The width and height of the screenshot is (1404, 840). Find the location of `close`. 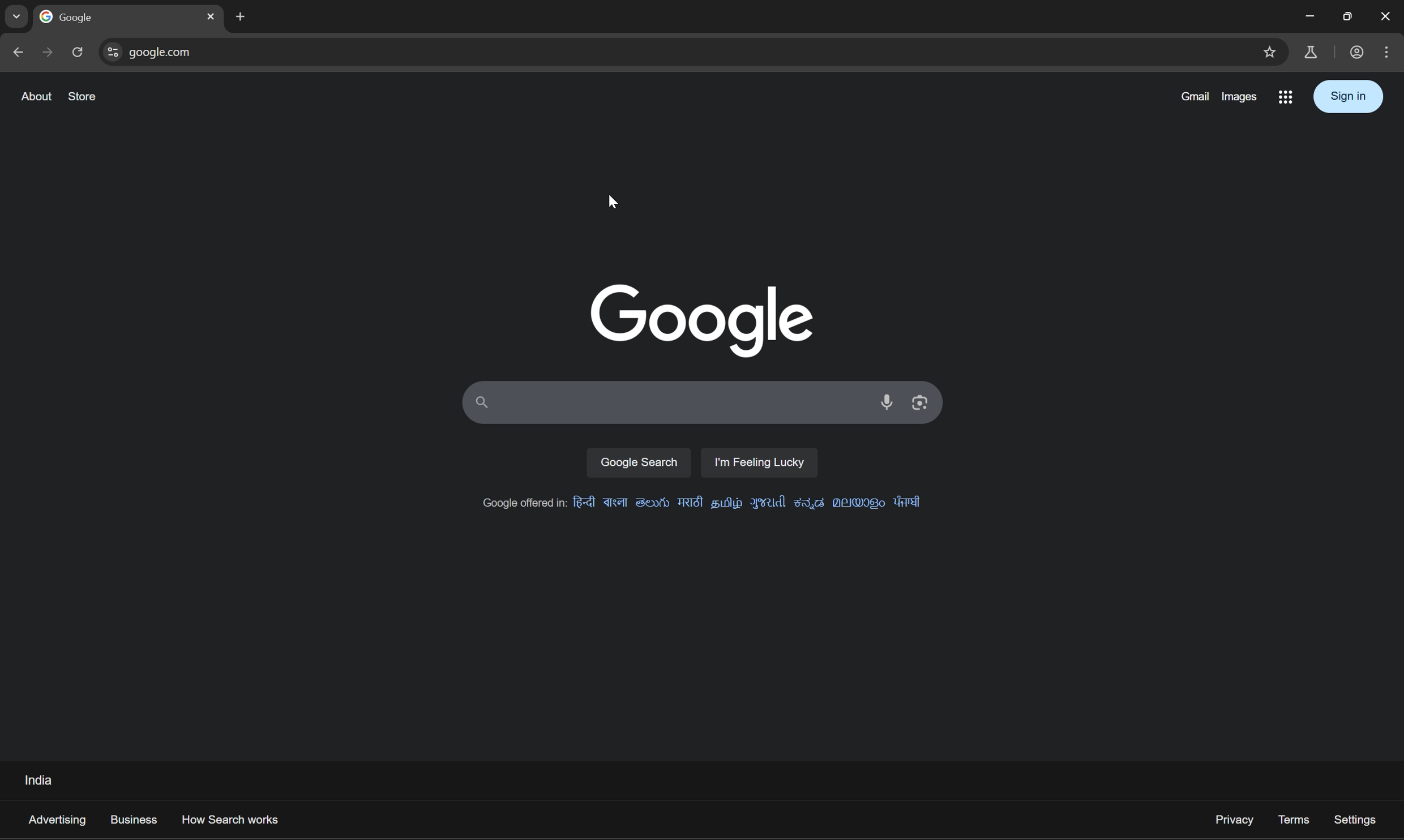

close is located at coordinates (1386, 15).